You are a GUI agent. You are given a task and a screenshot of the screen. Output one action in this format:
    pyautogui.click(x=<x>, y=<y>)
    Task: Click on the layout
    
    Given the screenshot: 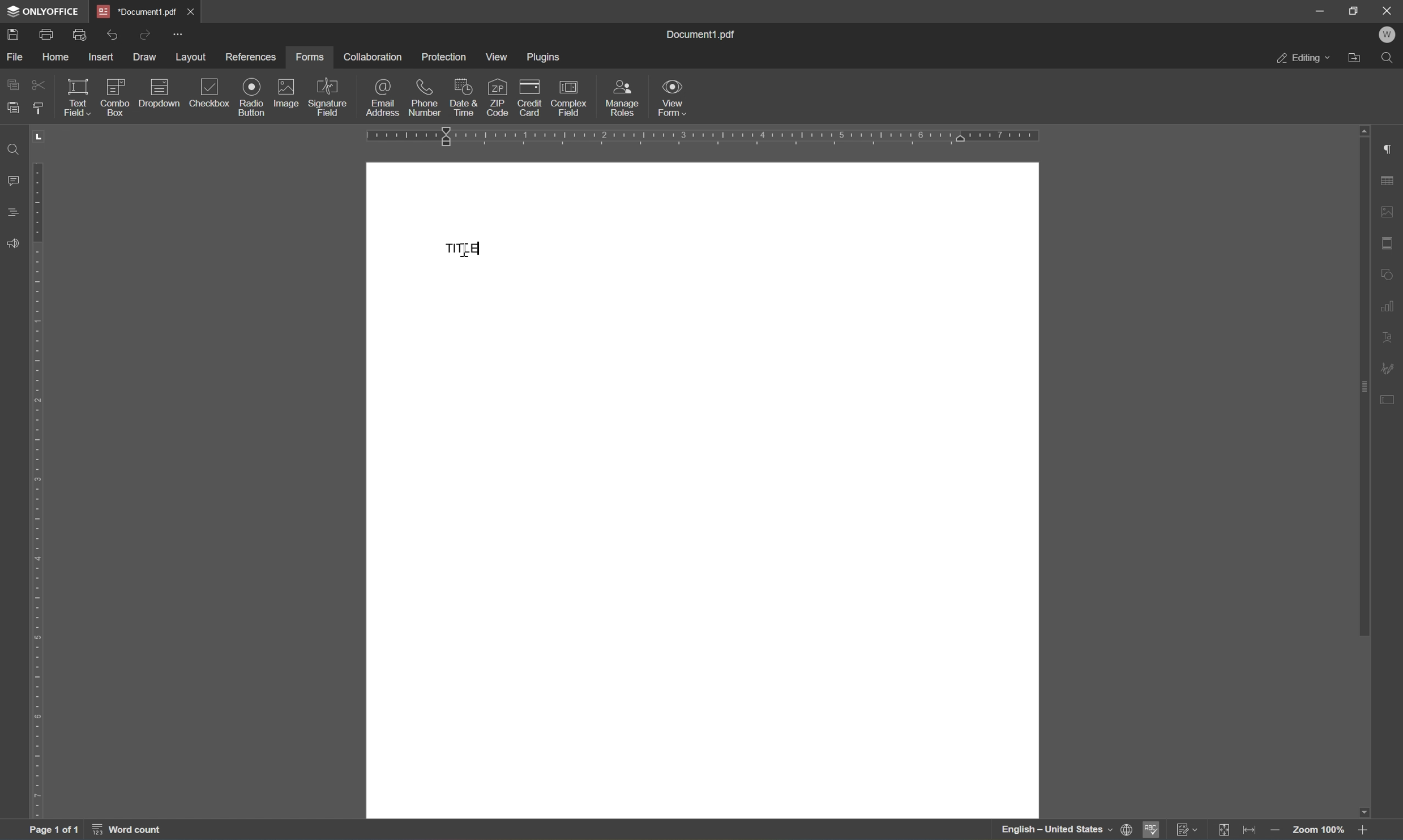 What is the action you would take?
    pyautogui.click(x=190, y=59)
    